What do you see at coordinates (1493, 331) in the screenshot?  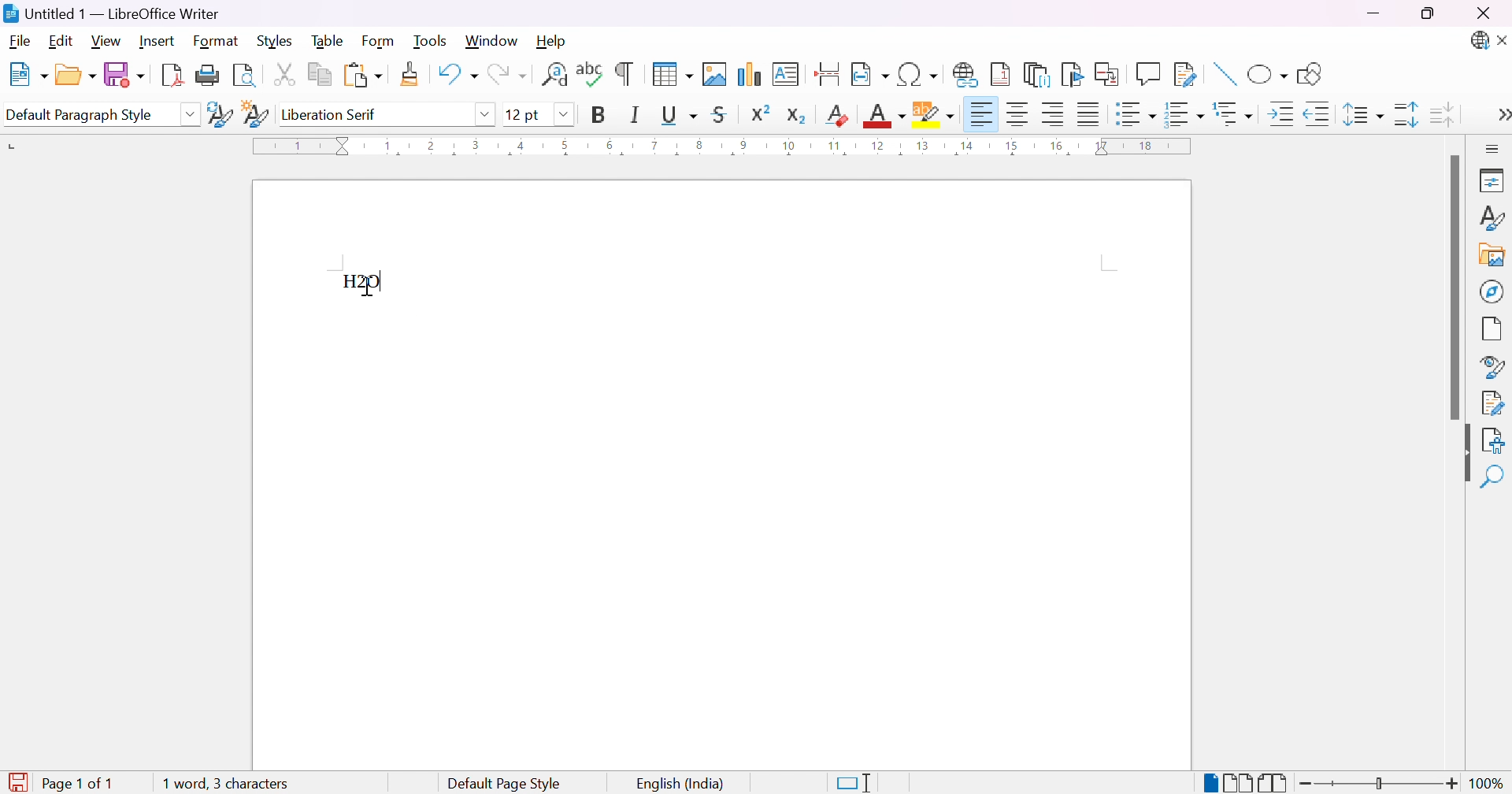 I see `Page` at bounding box center [1493, 331].